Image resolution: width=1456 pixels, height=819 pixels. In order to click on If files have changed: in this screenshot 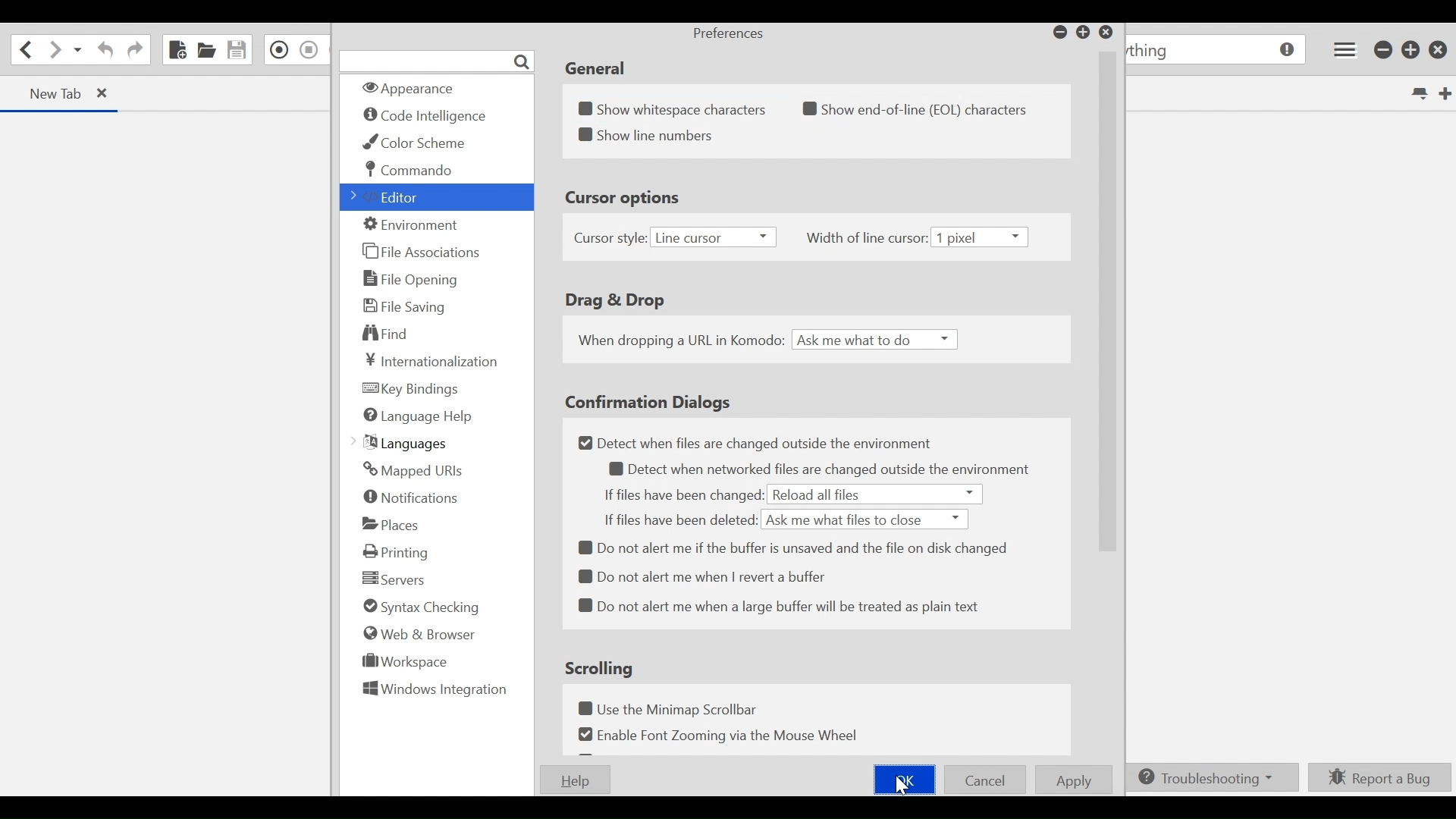, I will do `click(682, 495)`.